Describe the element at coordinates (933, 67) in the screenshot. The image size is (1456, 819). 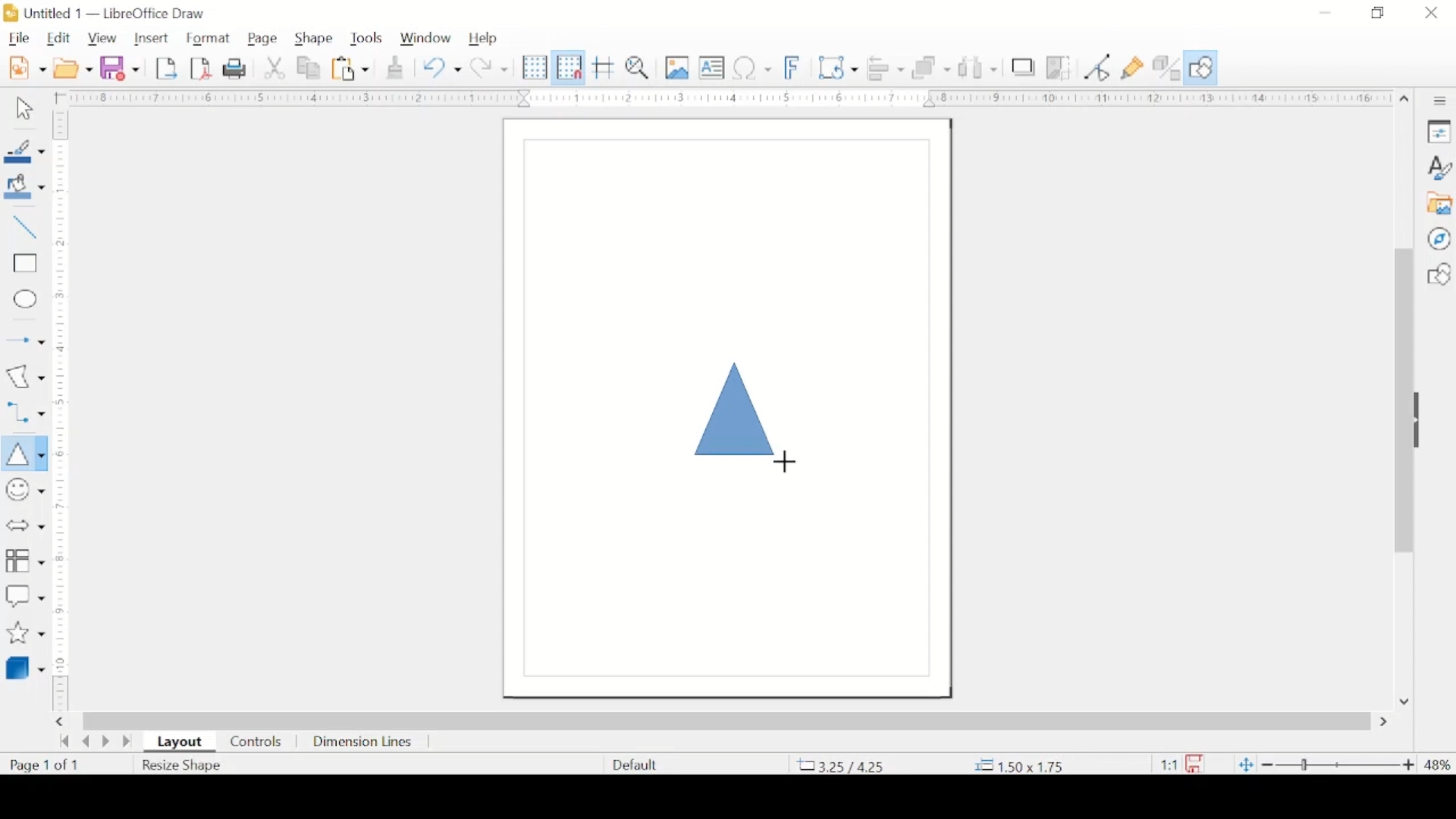
I see `arrange` at that location.